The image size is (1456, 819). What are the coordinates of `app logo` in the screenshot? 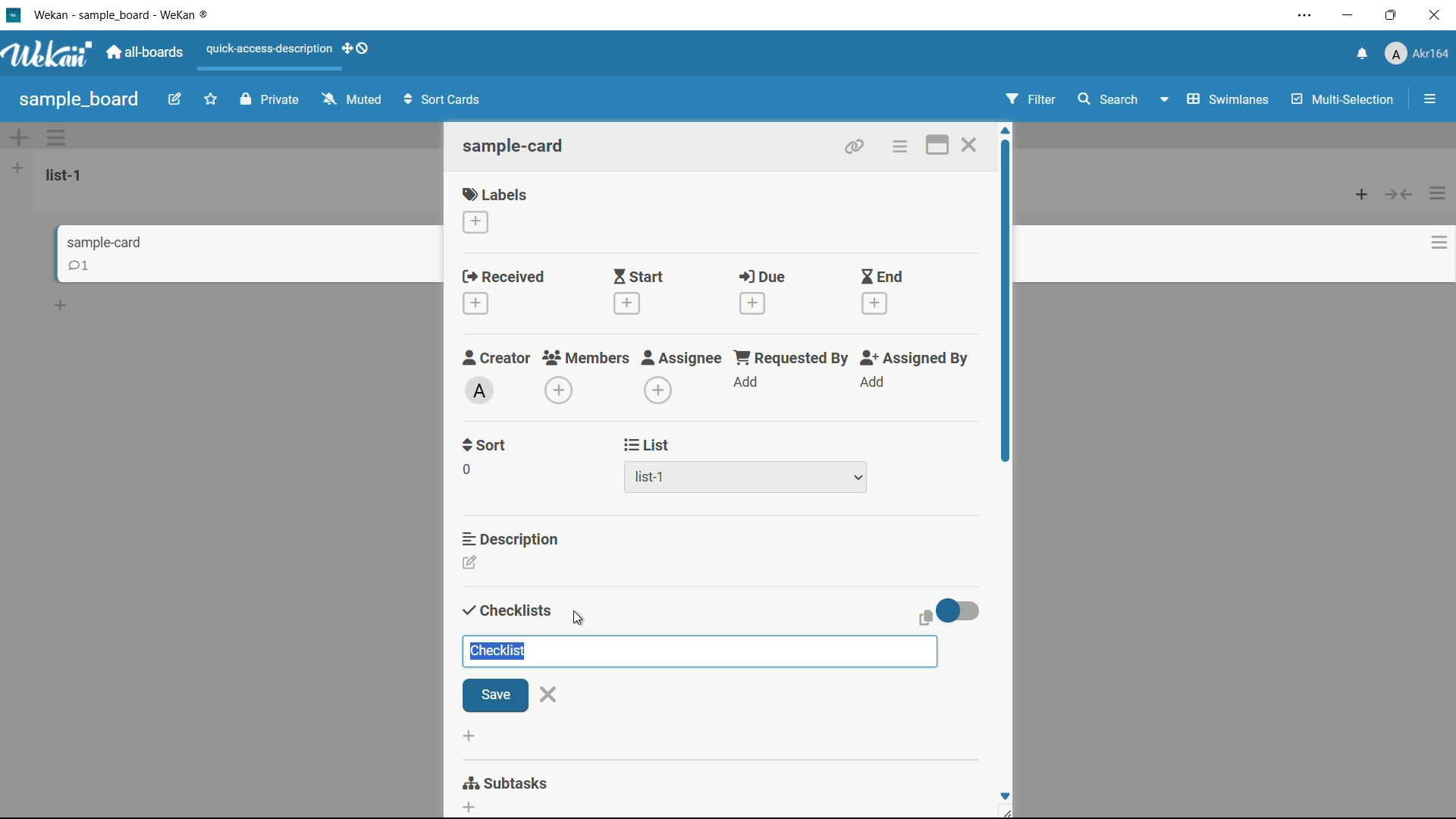 It's located at (51, 55).